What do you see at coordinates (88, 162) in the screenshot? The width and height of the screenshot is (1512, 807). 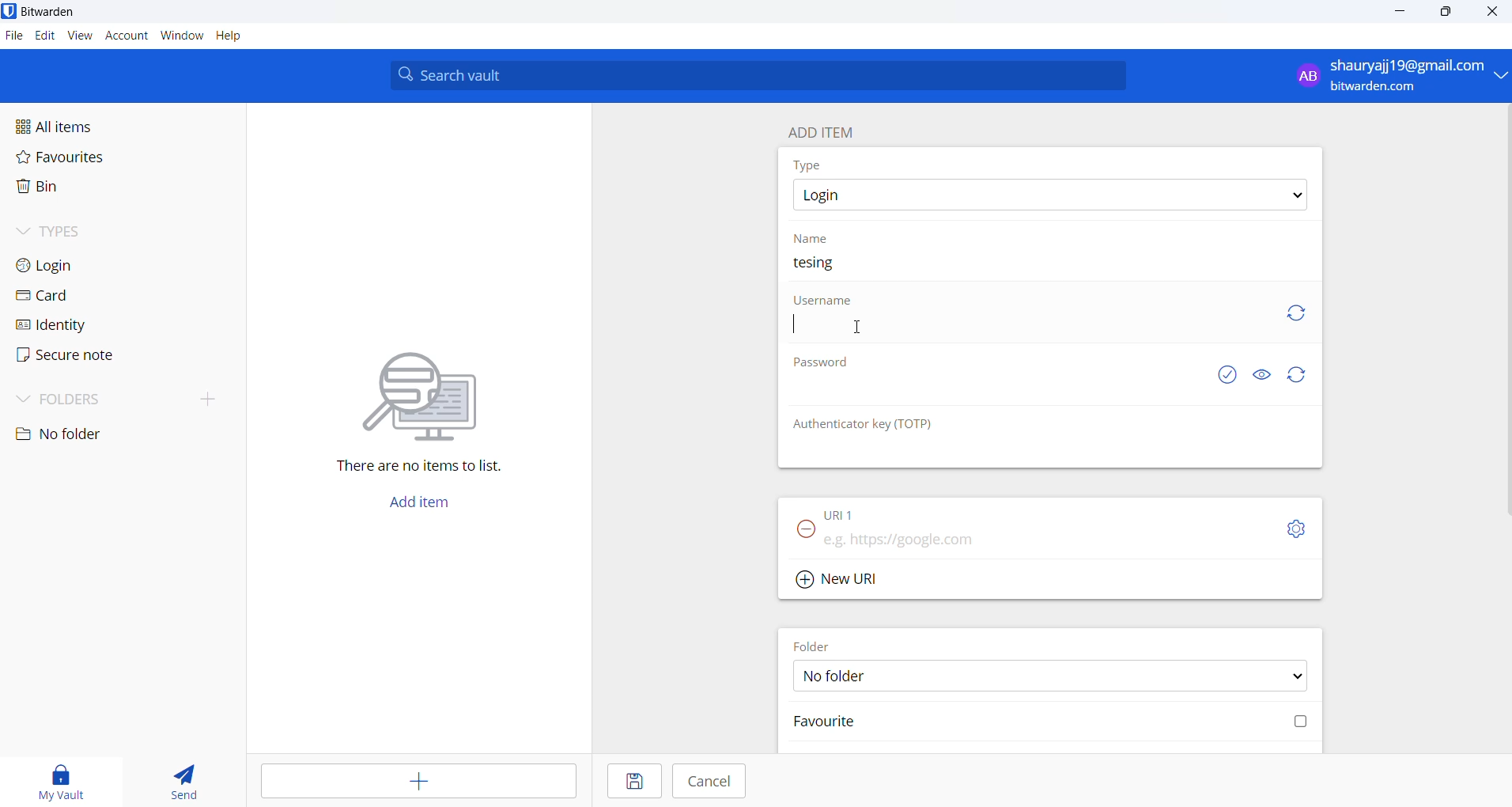 I see `favourites` at bounding box center [88, 162].